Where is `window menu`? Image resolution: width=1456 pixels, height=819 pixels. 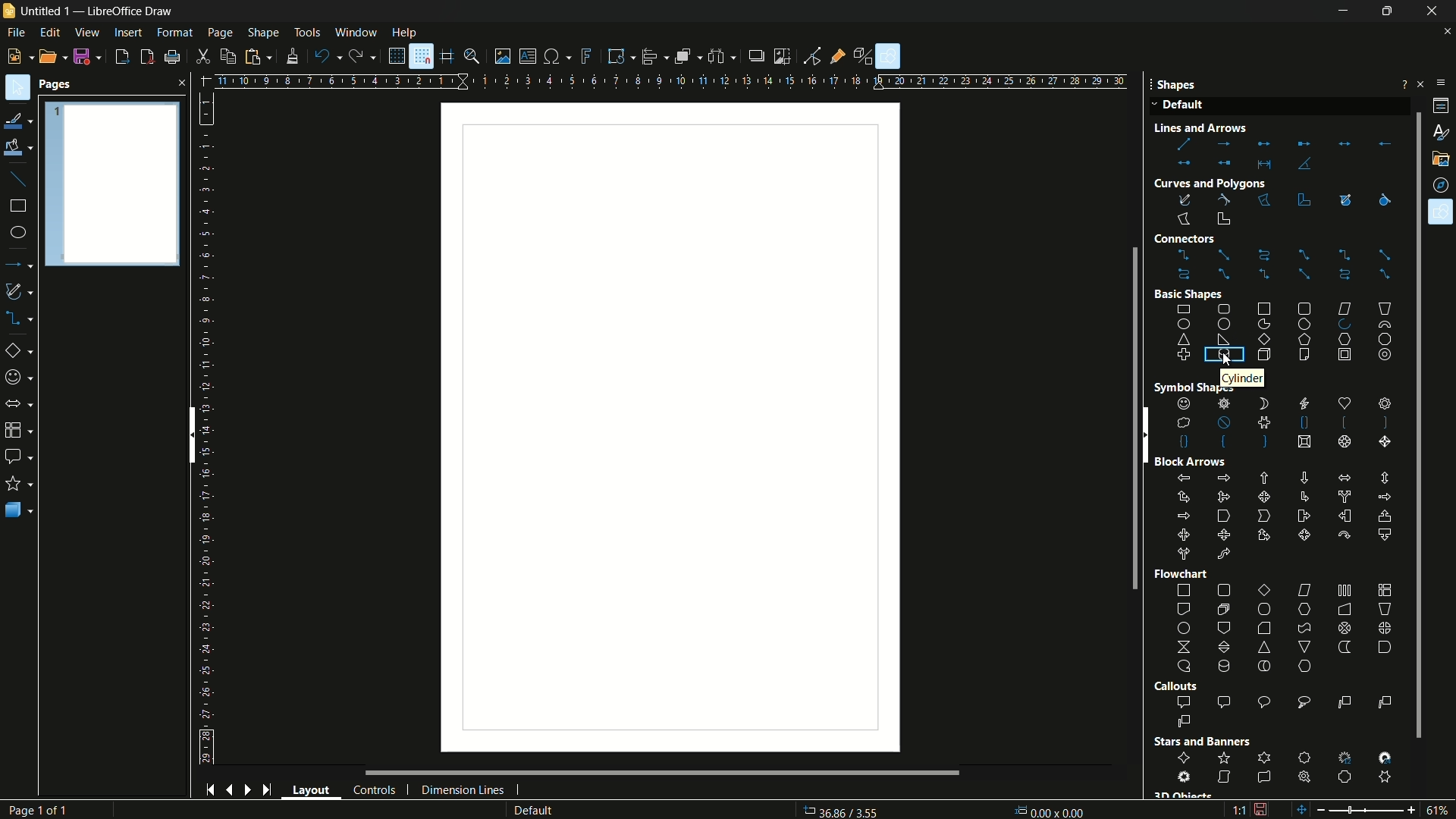 window menu is located at coordinates (355, 32).